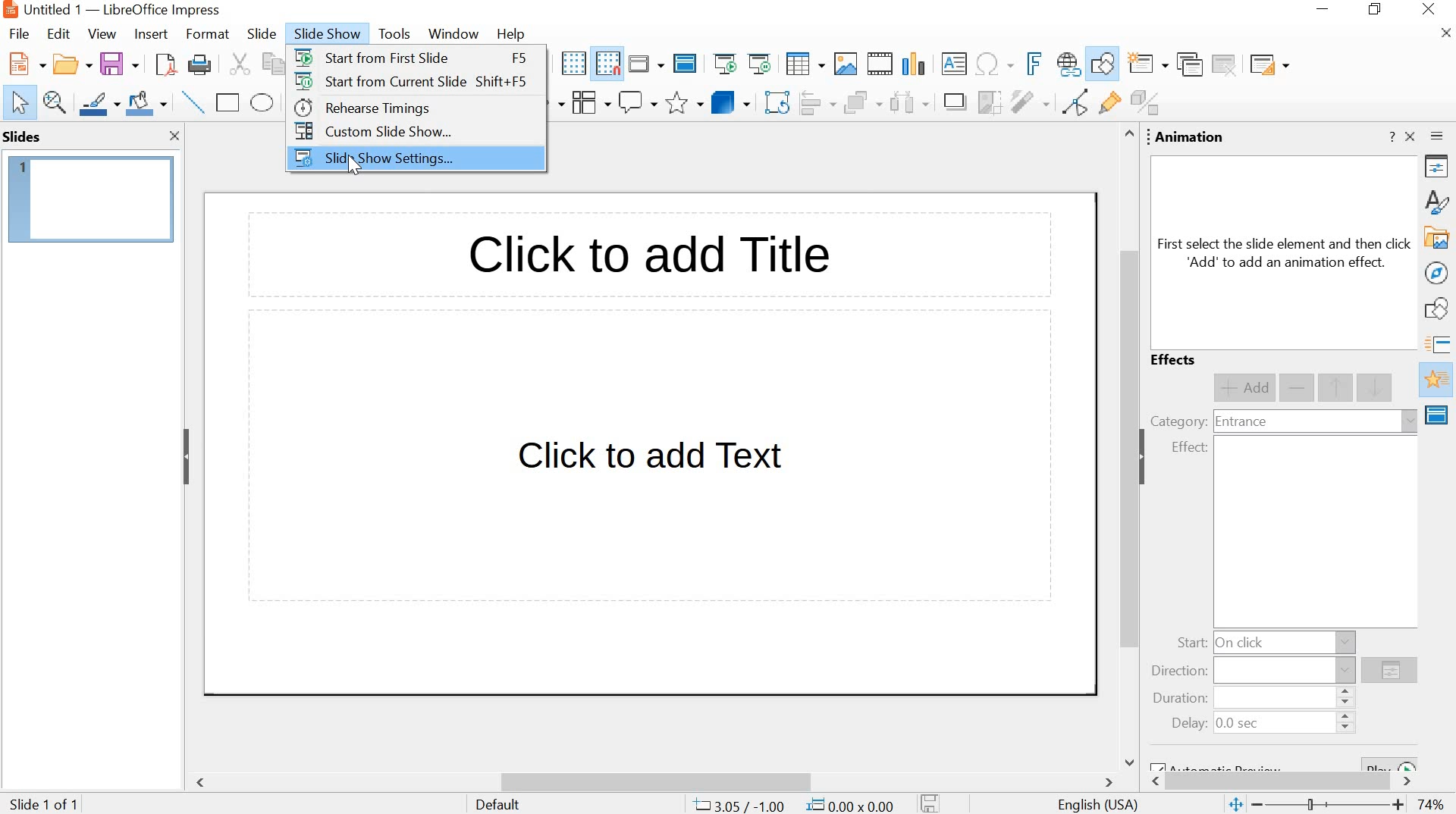 The image size is (1456, 814). I want to click on view menu, so click(102, 34).